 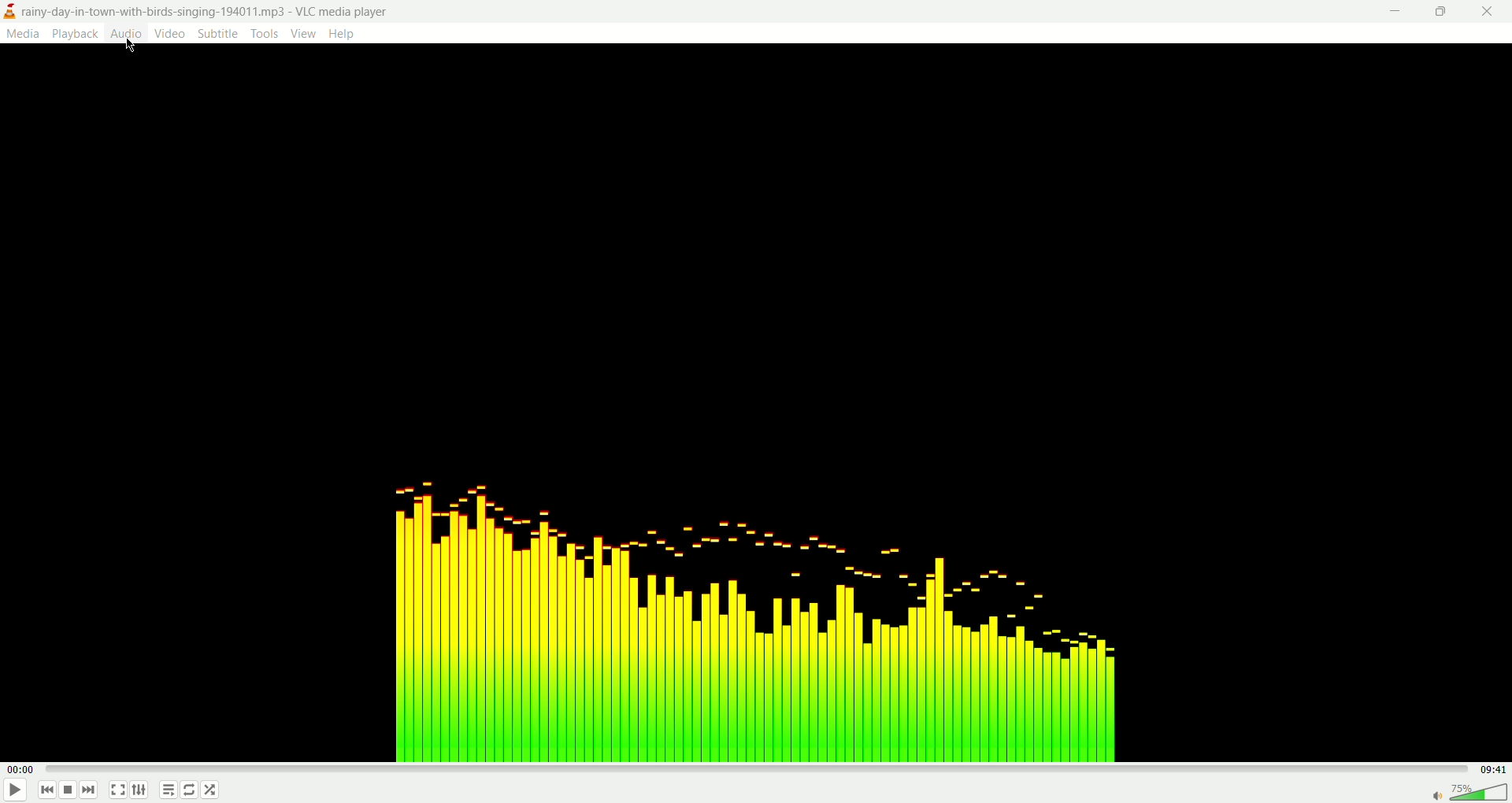 What do you see at coordinates (69, 792) in the screenshot?
I see `stop` at bounding box center [69, 792].